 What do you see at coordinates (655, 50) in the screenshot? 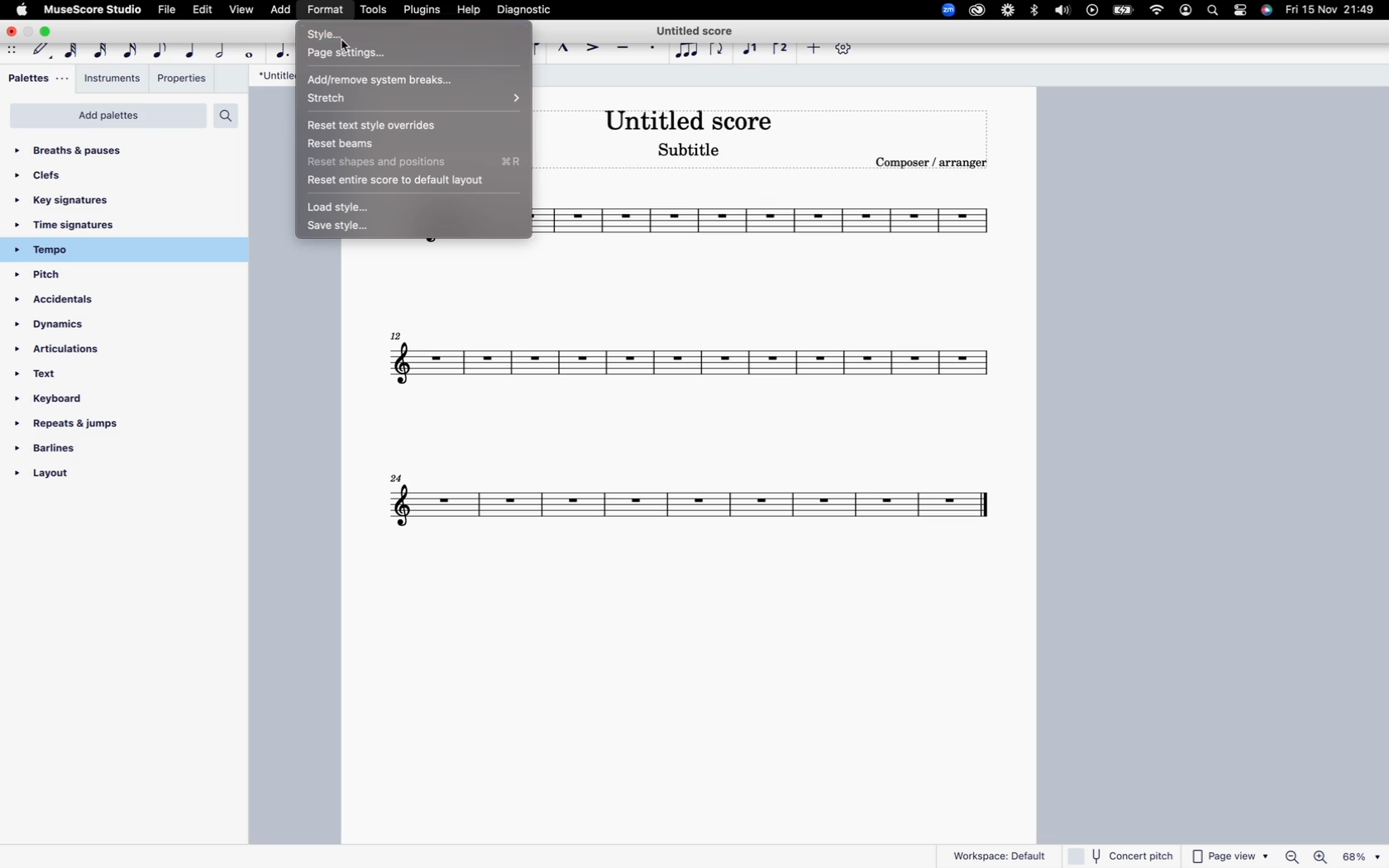
I see `staccato` at bounding box center [655, 50].